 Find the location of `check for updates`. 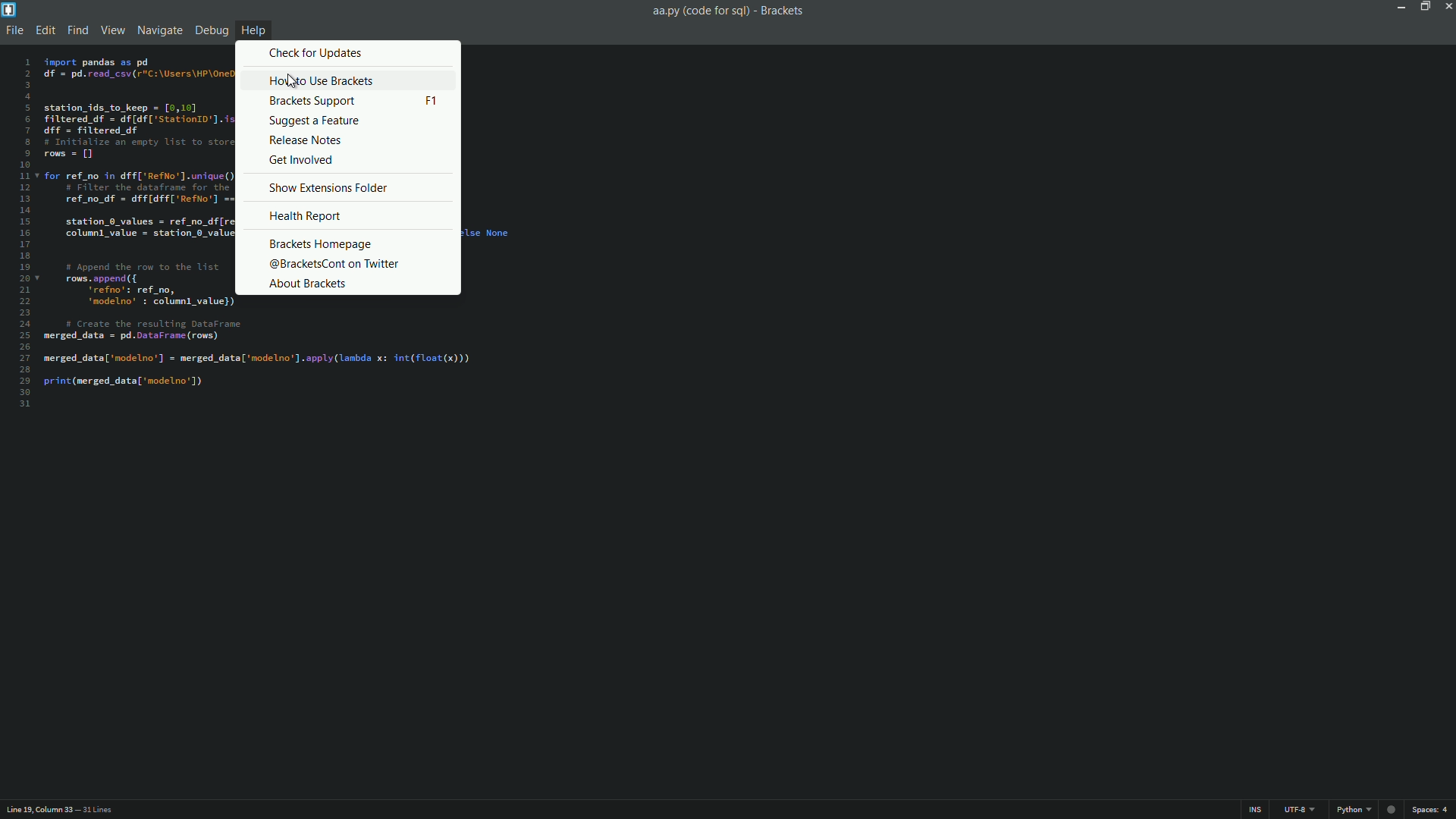

check for updates is located at coordinates (318, 54).